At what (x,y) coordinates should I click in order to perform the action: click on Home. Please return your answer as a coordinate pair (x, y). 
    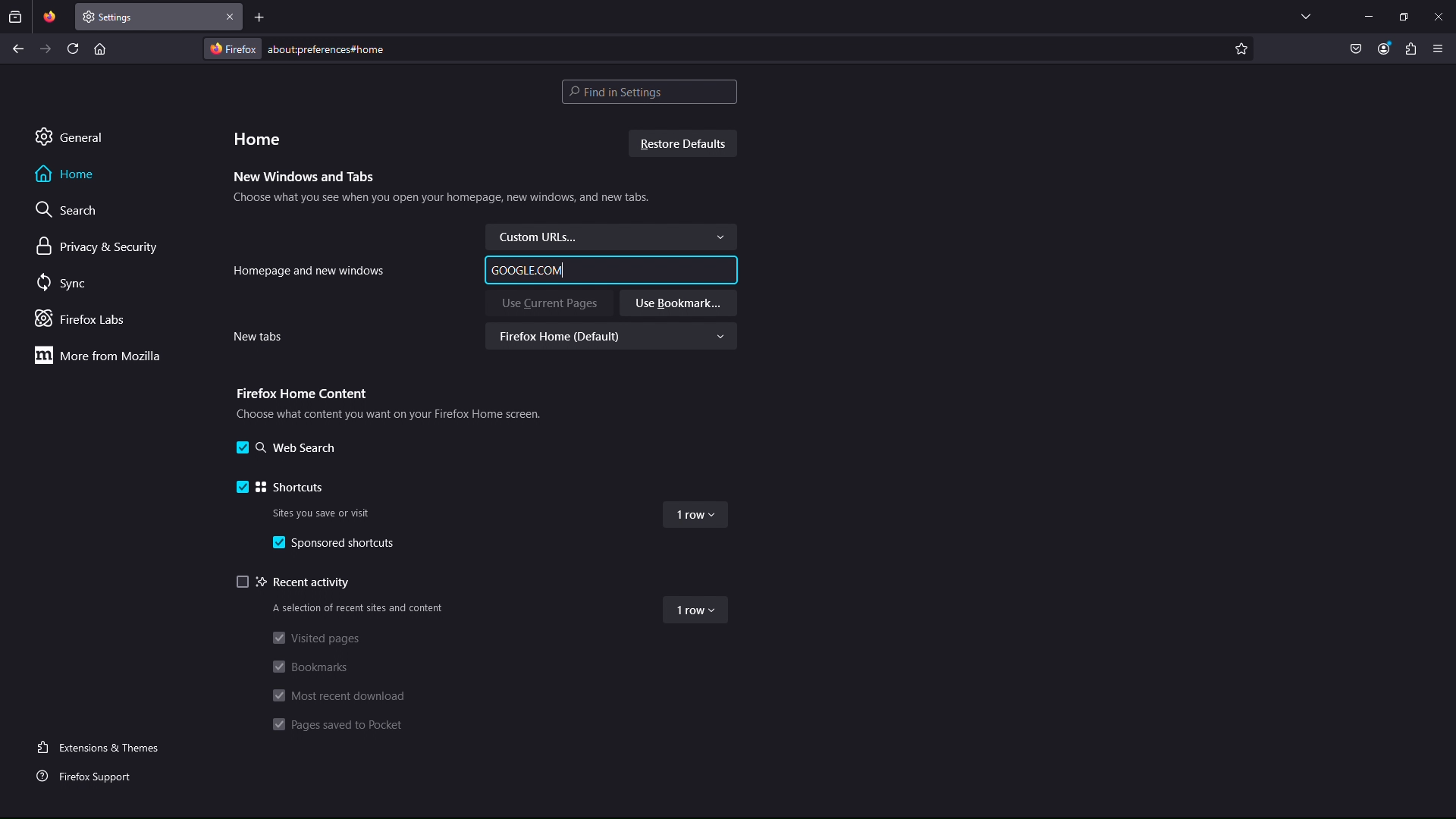
    Looking at the image, I should click on (66, 174).